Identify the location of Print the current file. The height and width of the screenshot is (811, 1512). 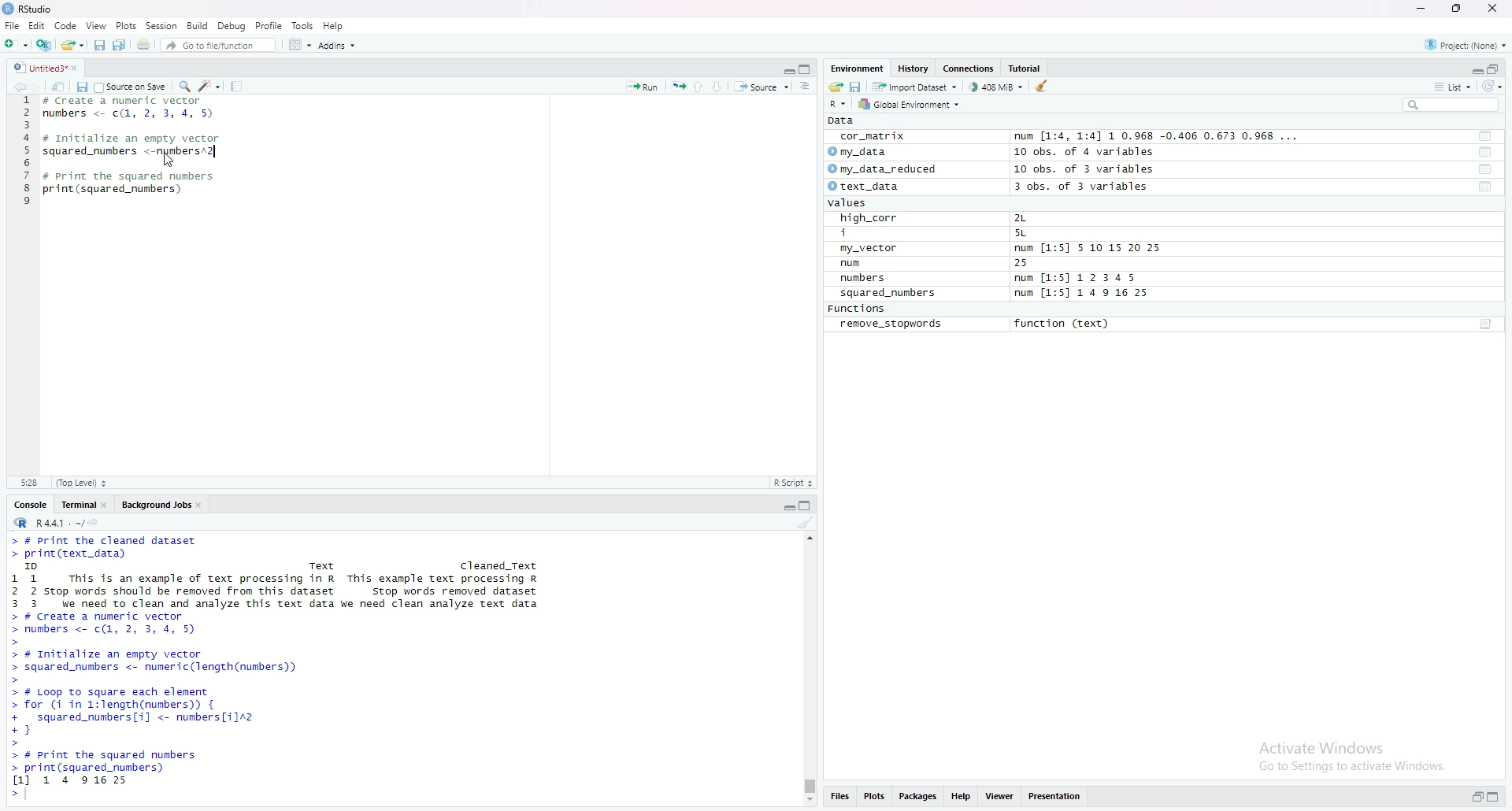
(142, 43).